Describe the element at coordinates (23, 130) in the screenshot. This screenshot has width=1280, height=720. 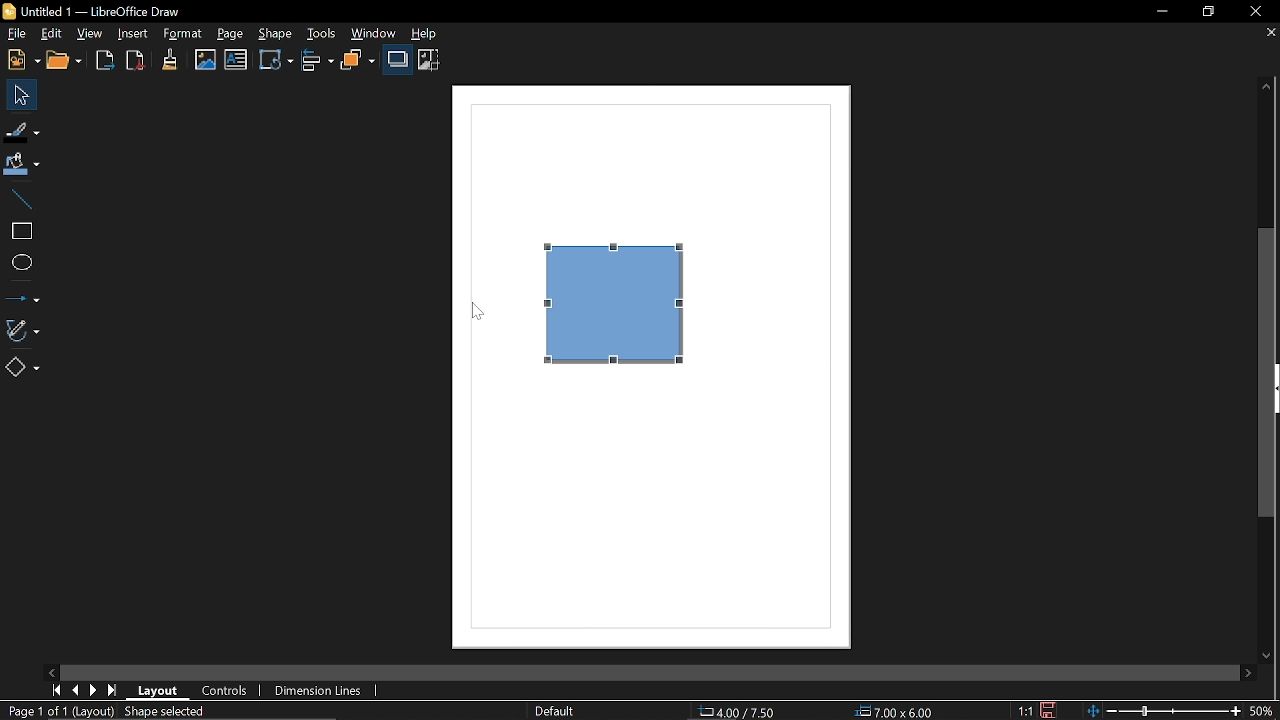
I see `fill line` at that location.